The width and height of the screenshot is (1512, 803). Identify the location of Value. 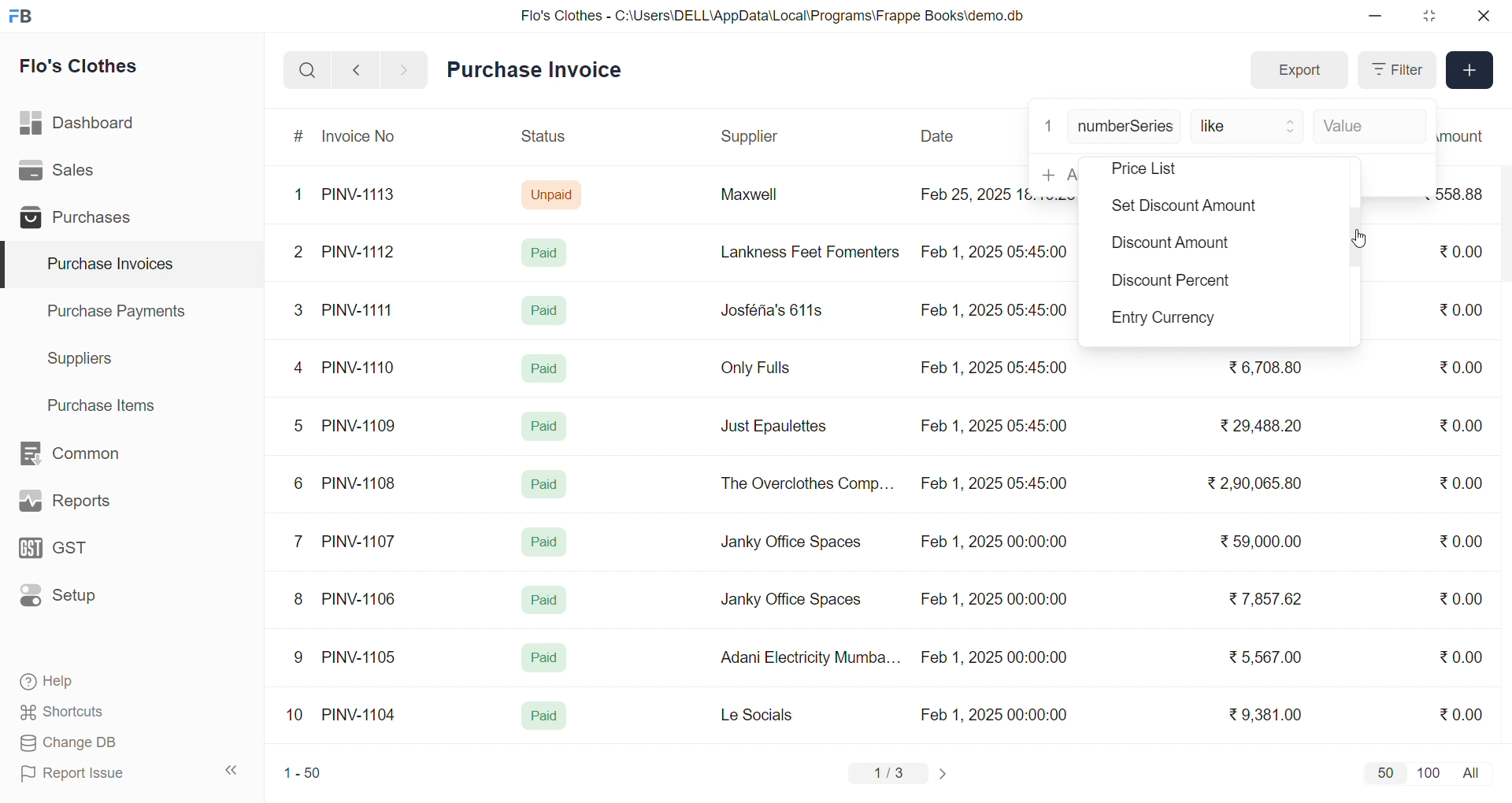
(1366, 128).